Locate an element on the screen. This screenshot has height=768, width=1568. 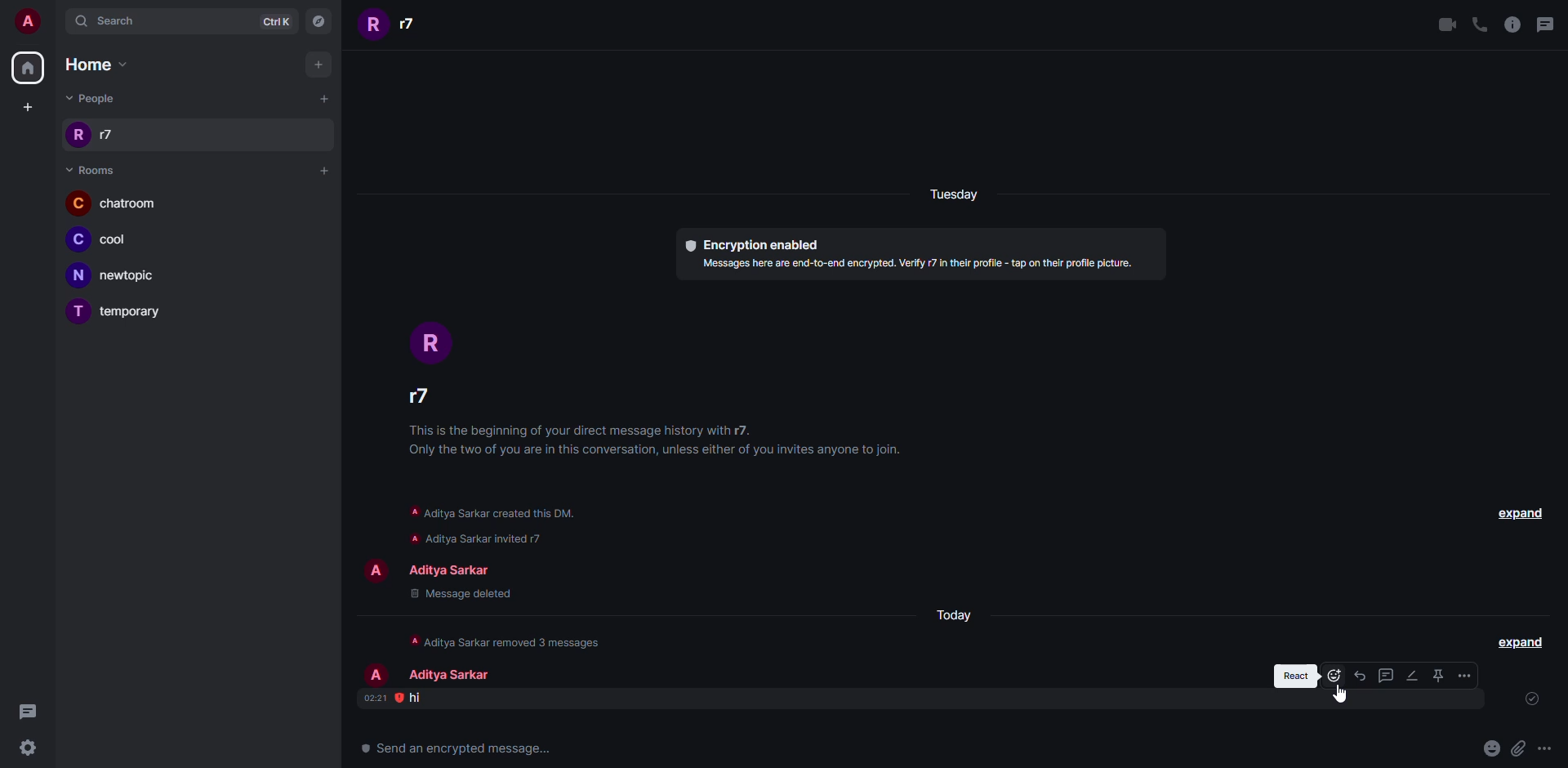
search is located at coordinates (111, 21).